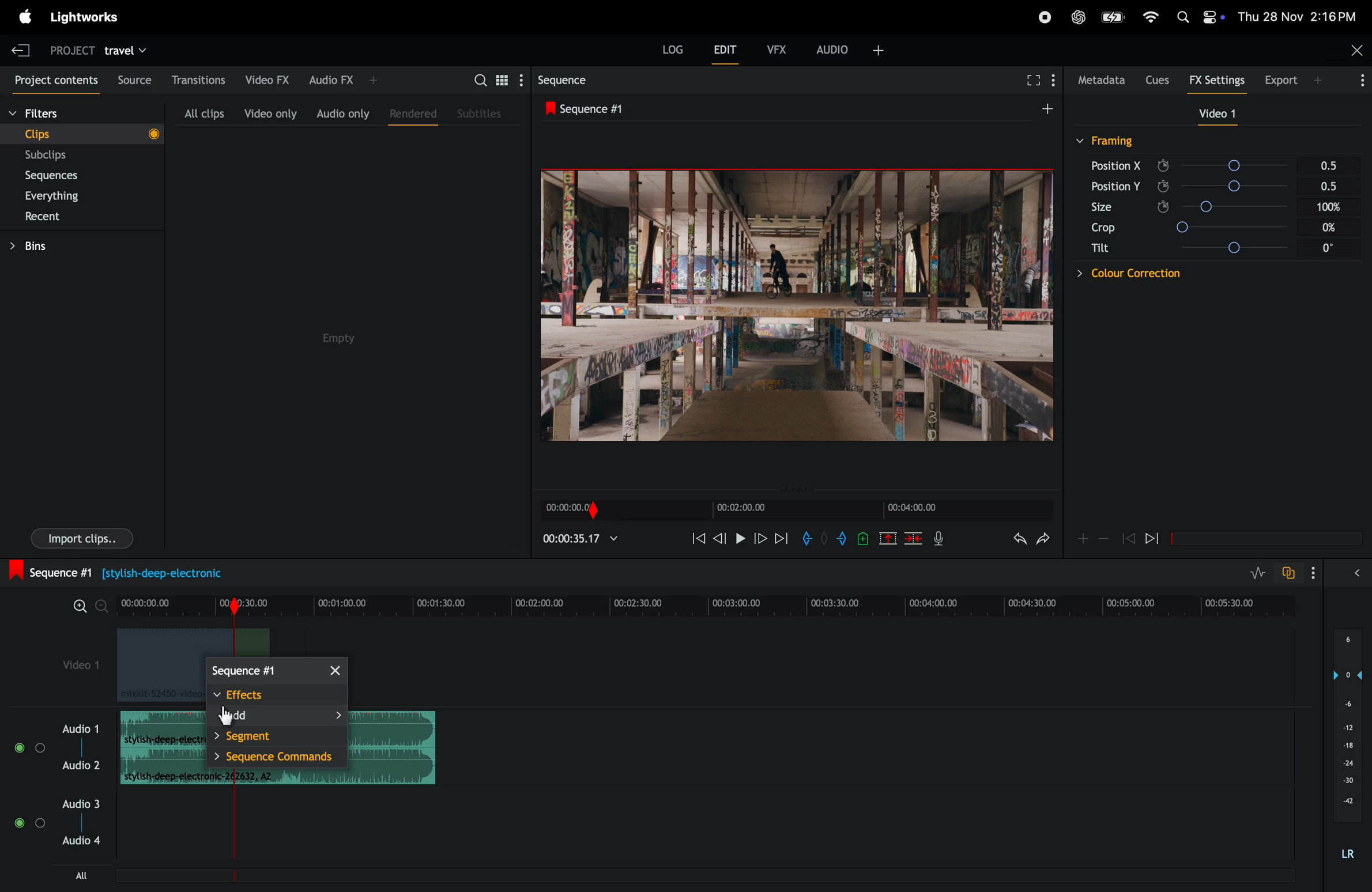 This screenshot has width=1372, height=892. I want to click on transitons, so click(198, 76).